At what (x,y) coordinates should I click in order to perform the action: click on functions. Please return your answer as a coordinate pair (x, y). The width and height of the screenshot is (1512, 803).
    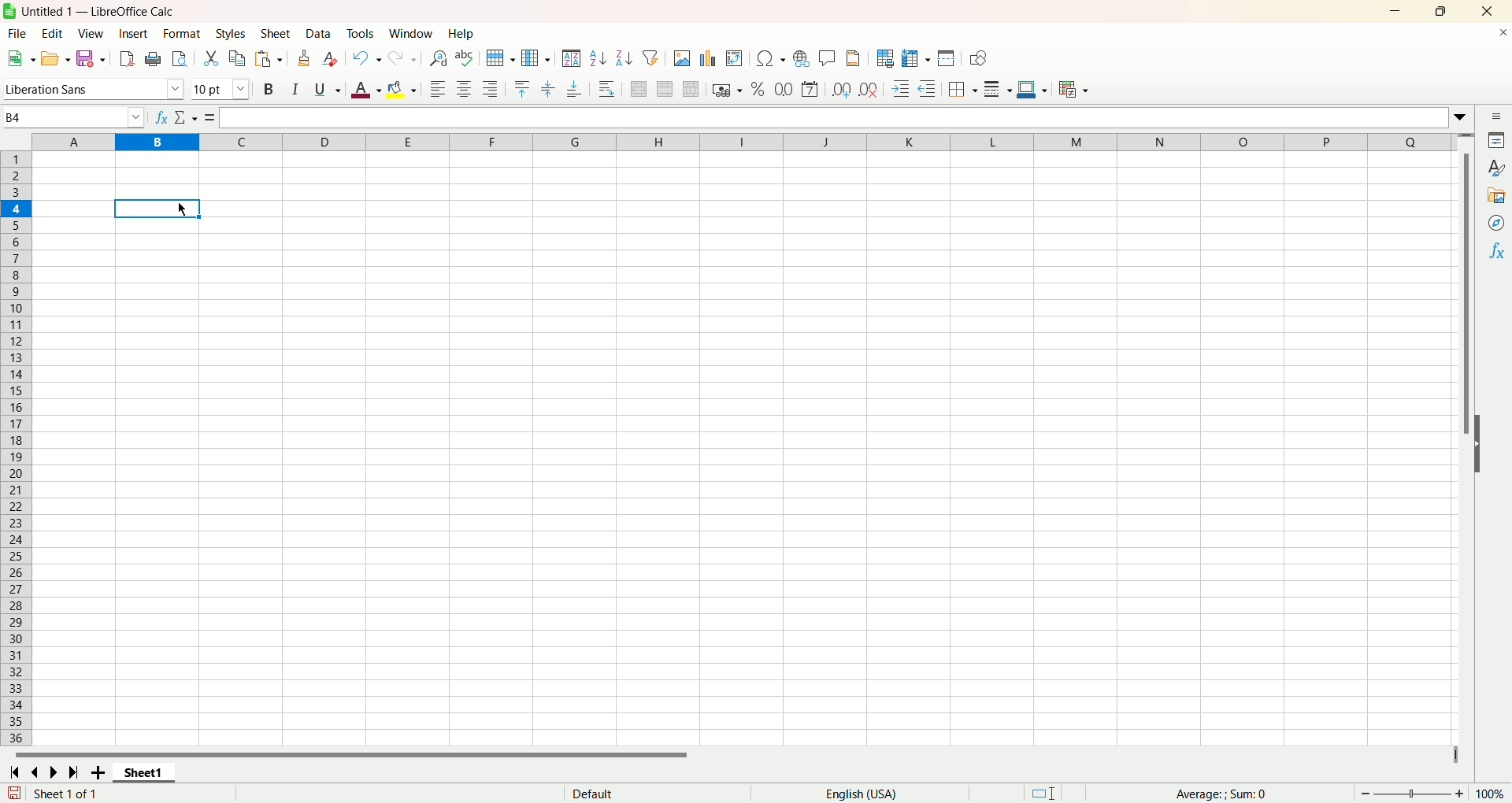
    Looking at the image, I should click on (1230, 794).